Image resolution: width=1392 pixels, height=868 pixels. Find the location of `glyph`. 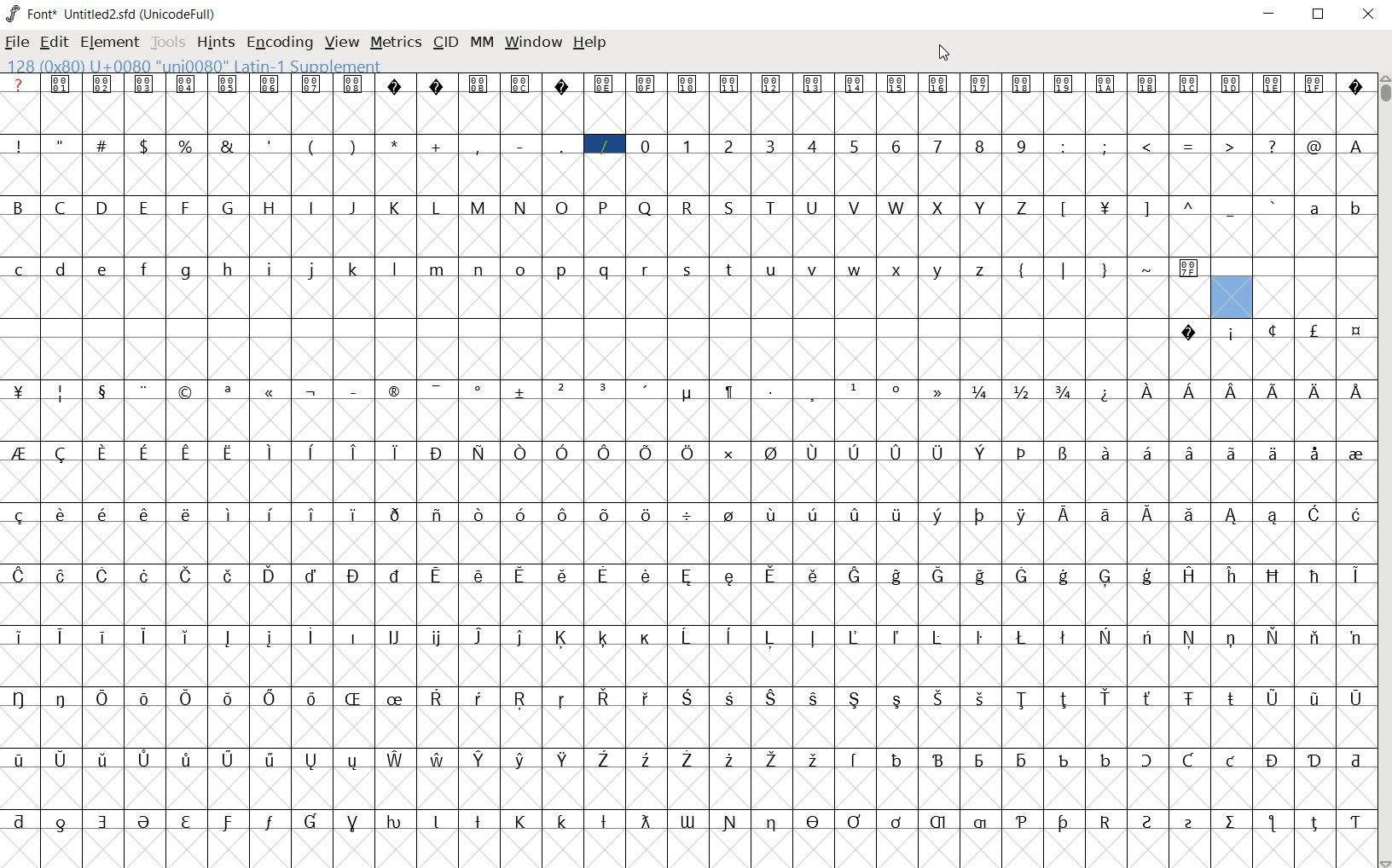

glyph is located at coordinates (1314, 761).